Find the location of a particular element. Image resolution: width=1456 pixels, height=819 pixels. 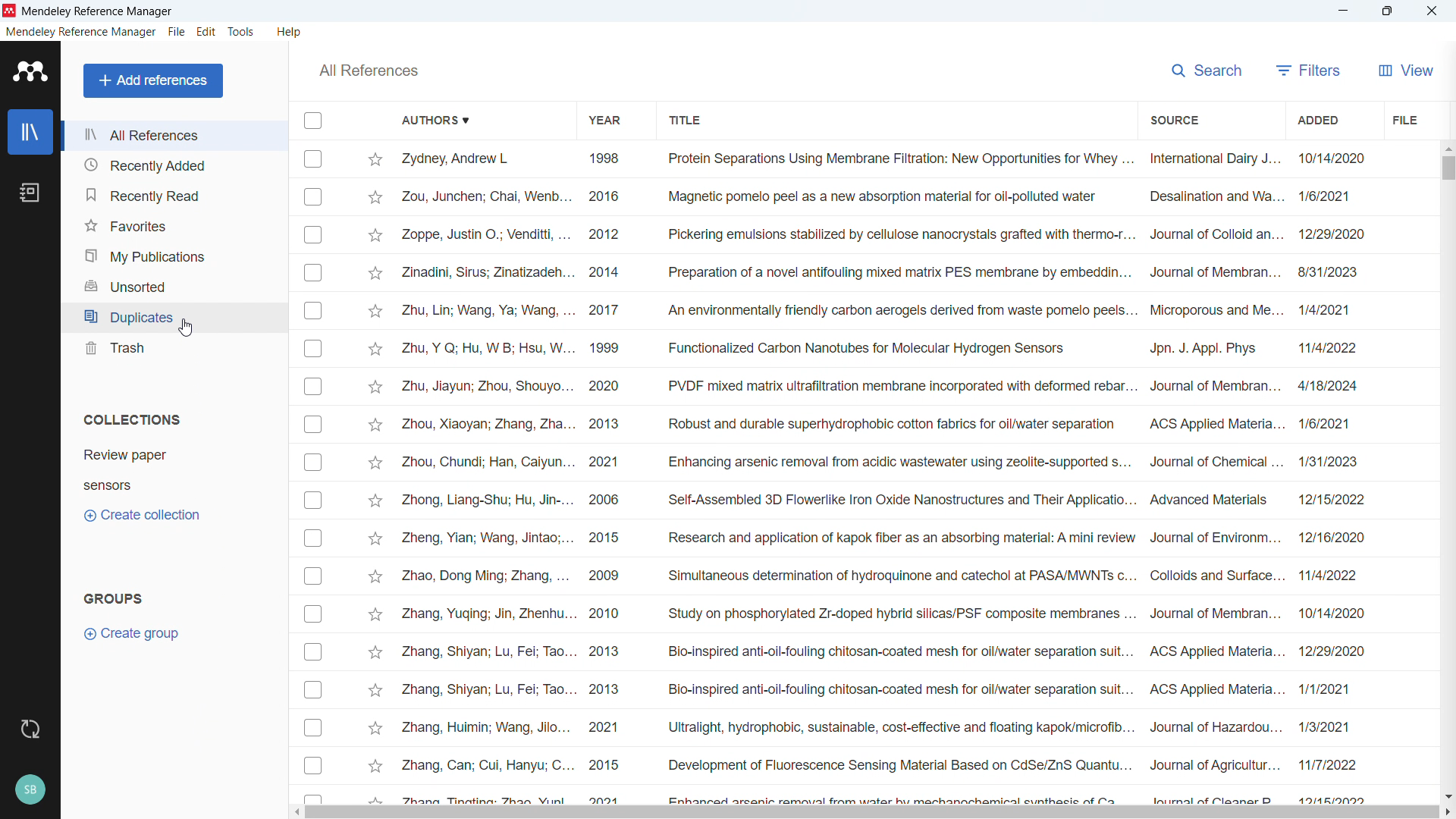

Sort by title  is located at coordinates (690, 120).